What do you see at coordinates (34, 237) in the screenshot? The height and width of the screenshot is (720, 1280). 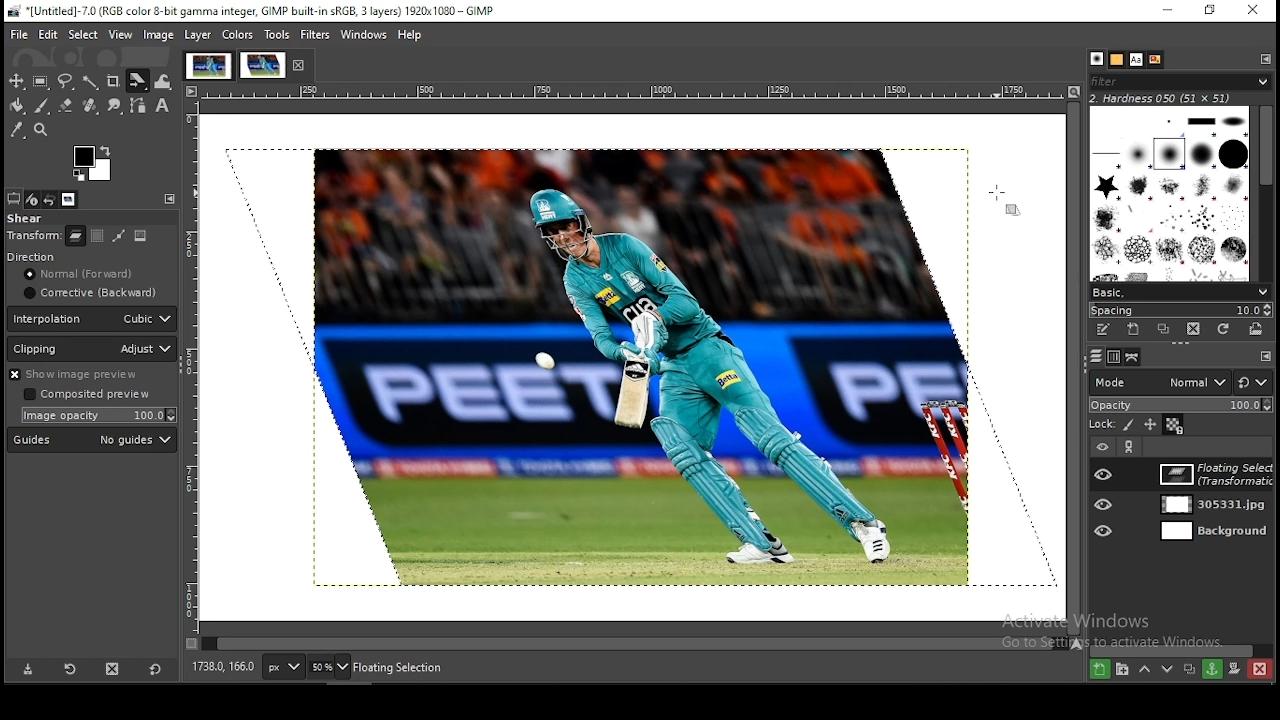 I see `transform` at bounding box center [34, 237].